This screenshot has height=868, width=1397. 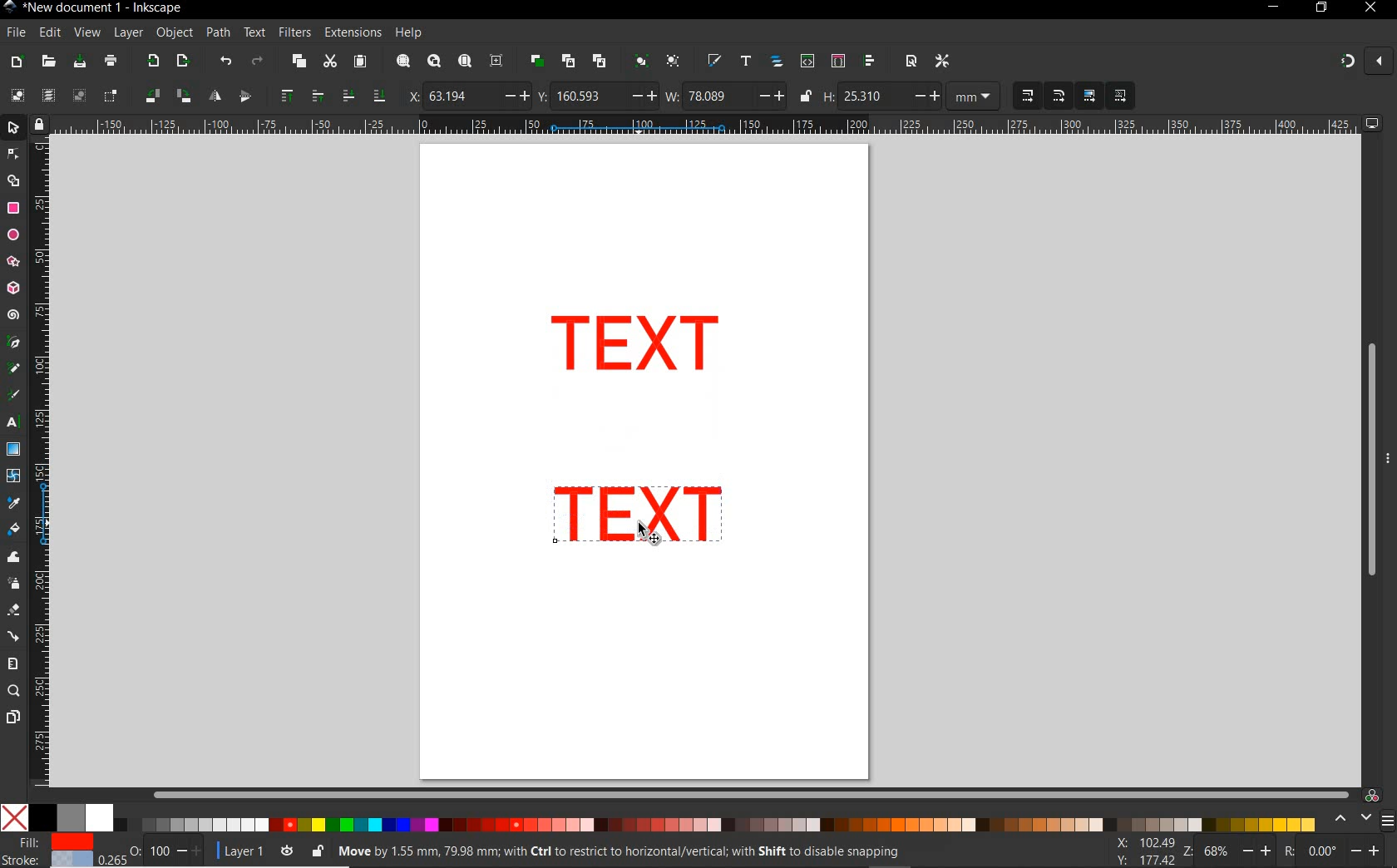 What do you see at coordinates (715, 62) in the screenshot?
I see `open fill and stroke` at bounding box center [715, 62].